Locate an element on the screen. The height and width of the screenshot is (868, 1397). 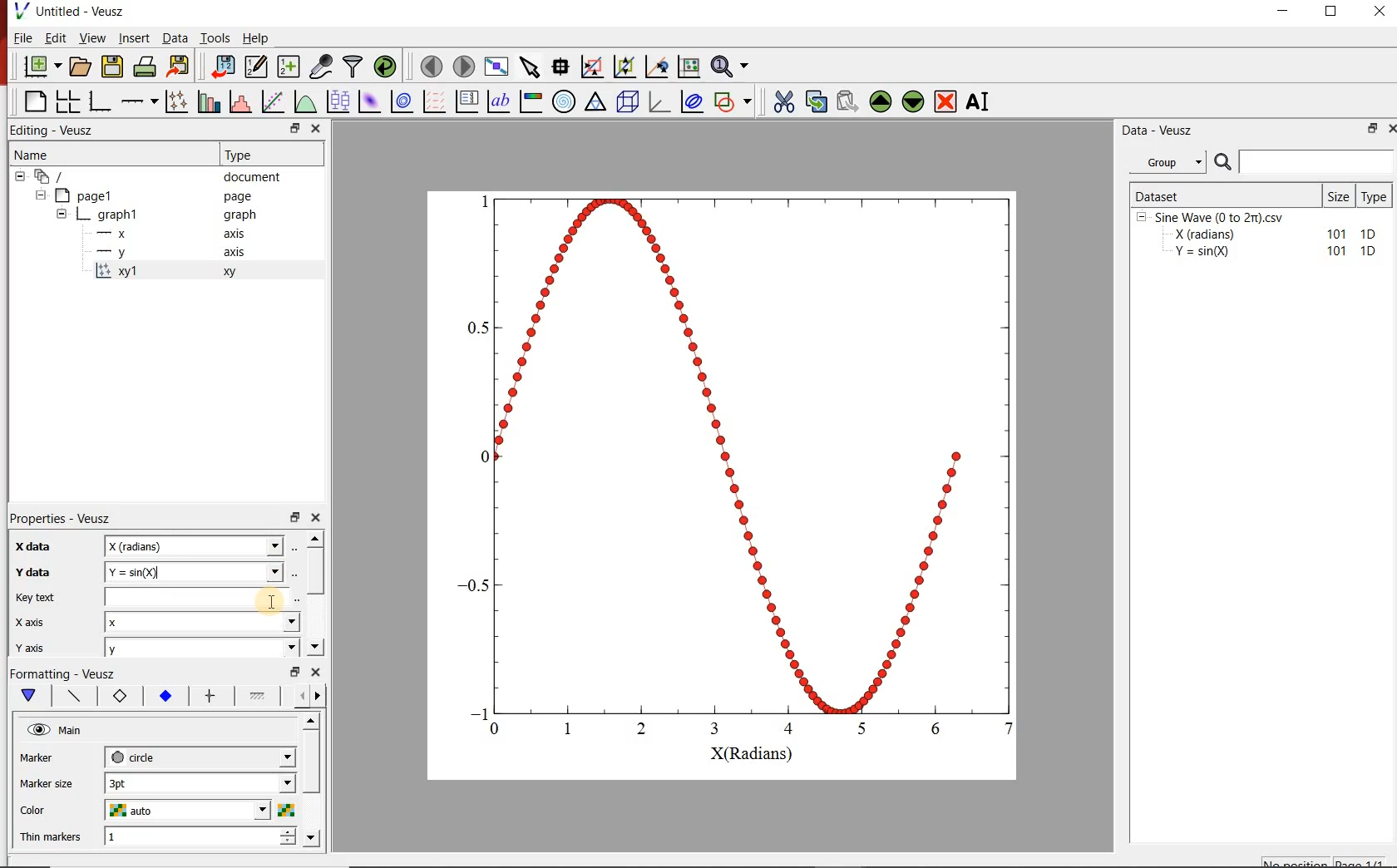
textbox is located at coordinates (198, 596).